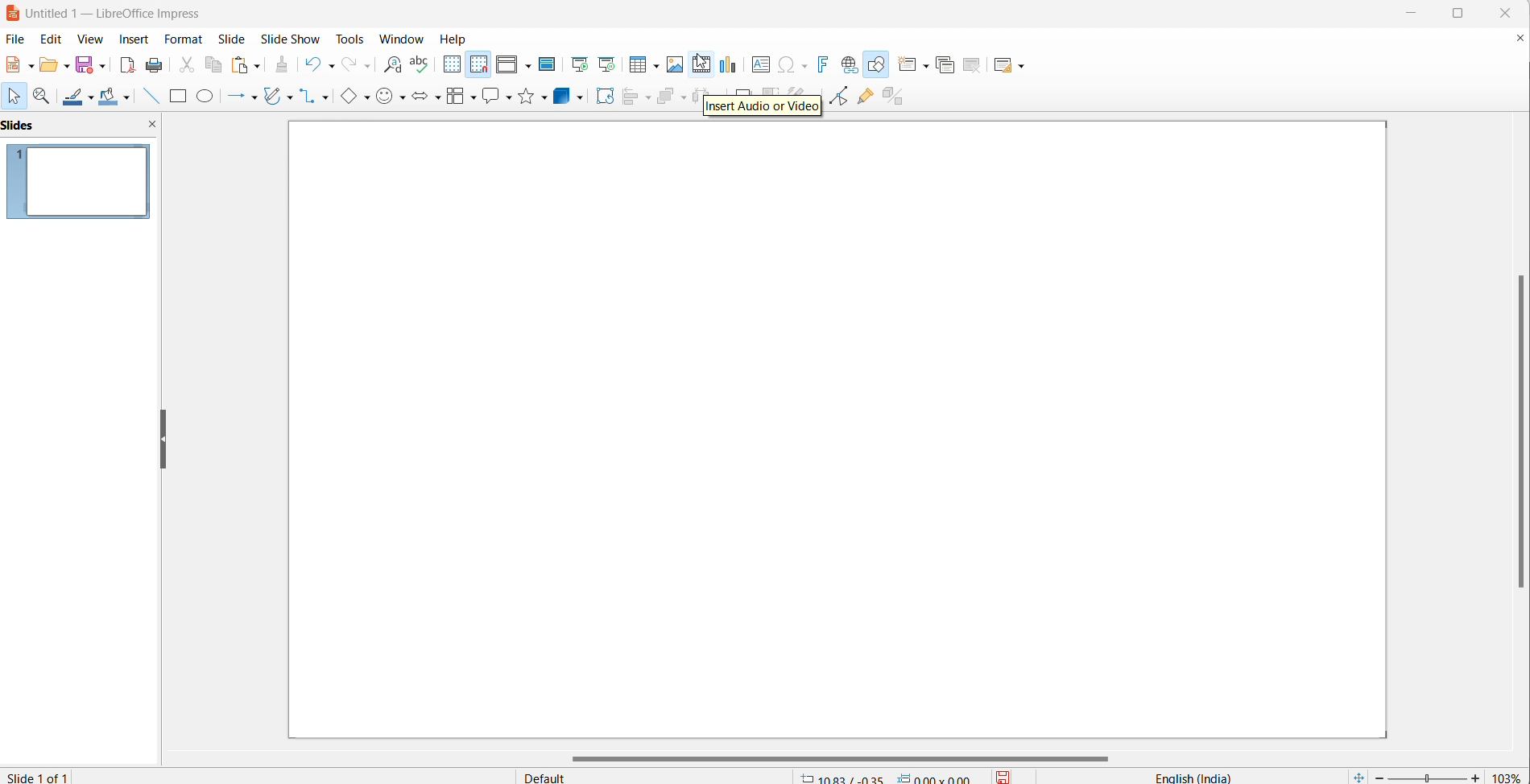 The image size is (1530, 784). I want to click on display view options, so click(529, 67).